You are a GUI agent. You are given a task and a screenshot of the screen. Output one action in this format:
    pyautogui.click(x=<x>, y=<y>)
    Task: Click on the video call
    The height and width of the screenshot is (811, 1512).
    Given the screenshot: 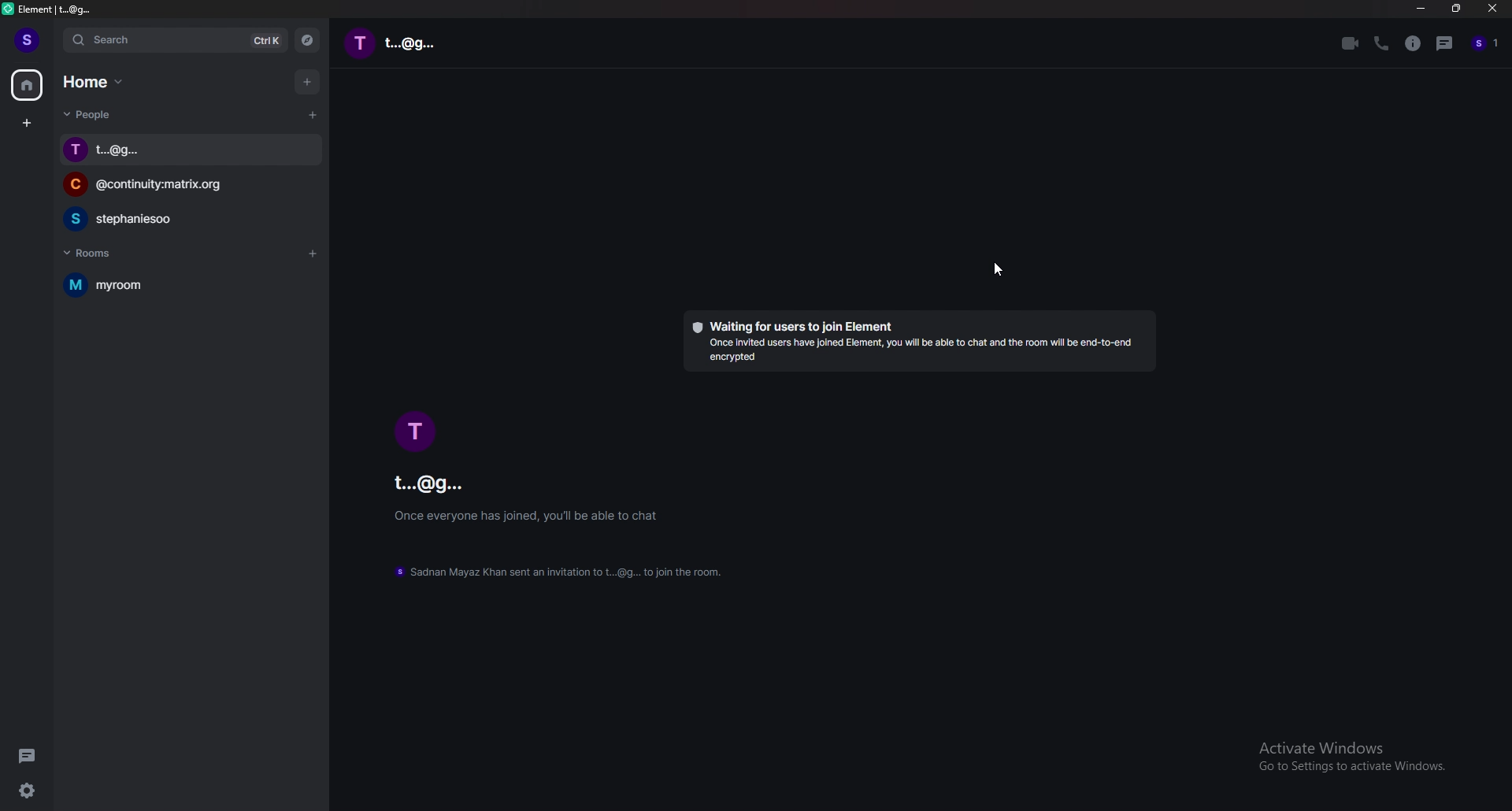 What is the action you would take?
    pyautogui.click(x=1350, y=44)
    